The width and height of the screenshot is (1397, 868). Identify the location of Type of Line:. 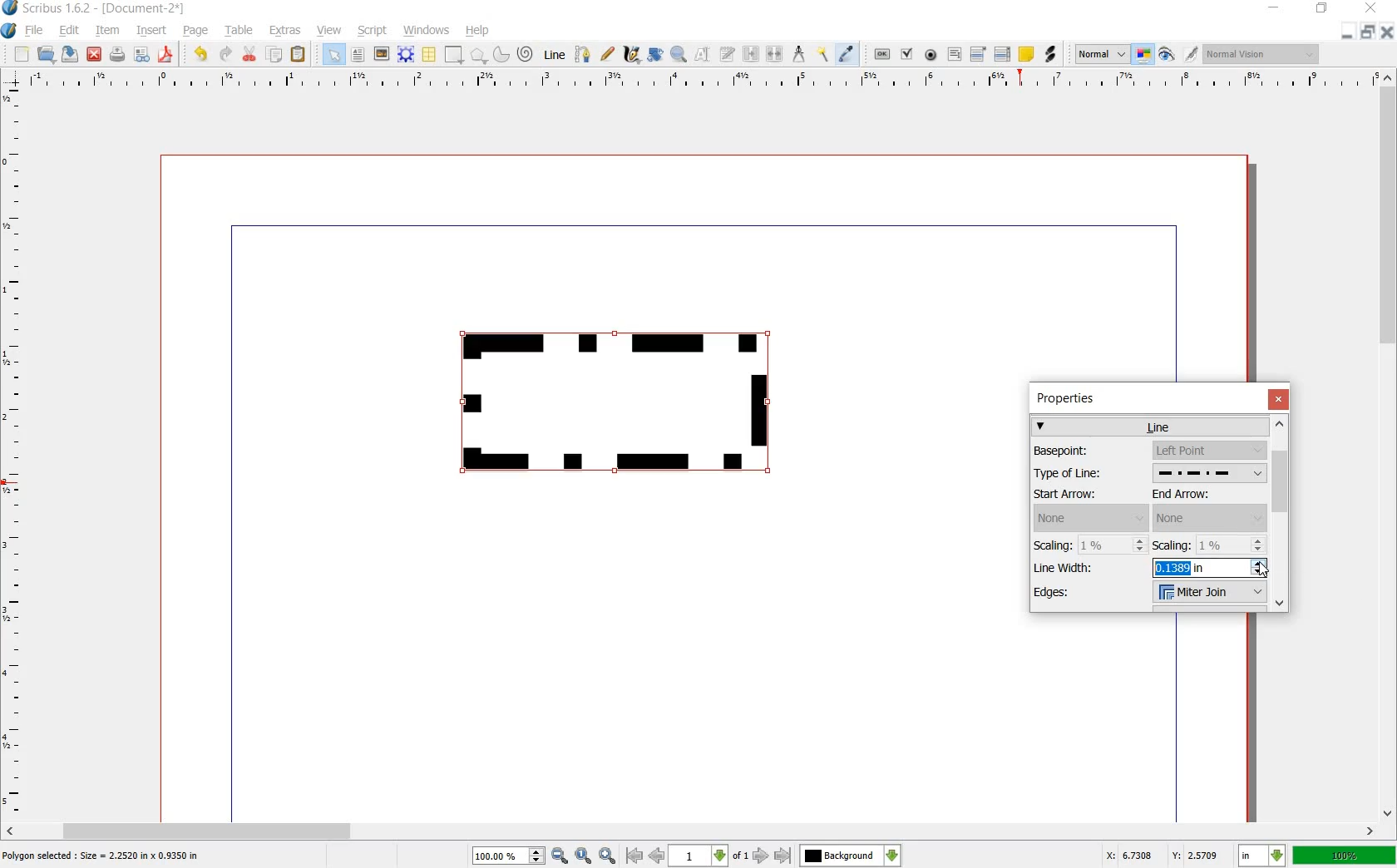
(1085, 475).